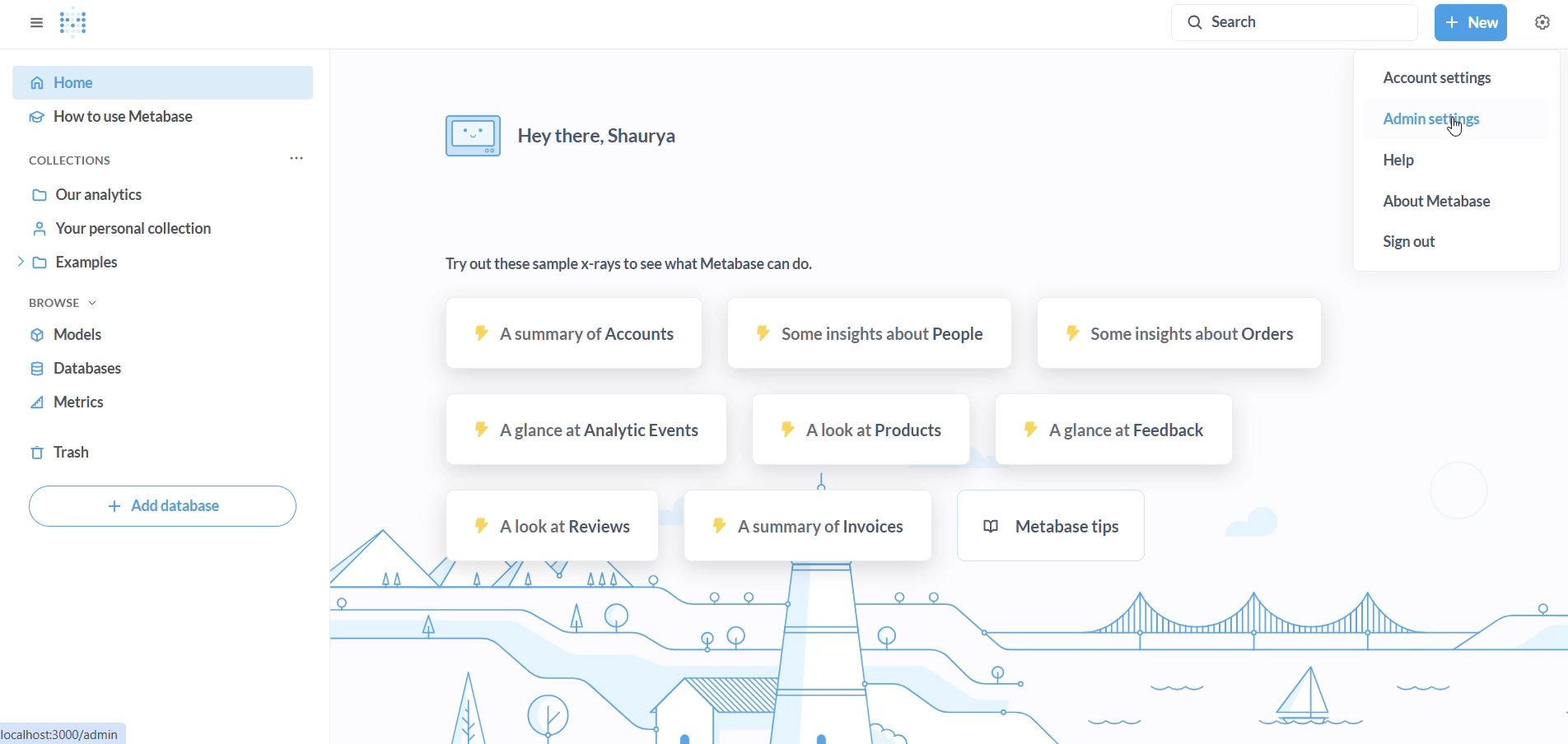 Image resolution: width=1568 pixels, height=744 pixels. Describe the element at coordinates (63, 732) in the screenshot. I see `ocalhost:3000/admin` at that location.